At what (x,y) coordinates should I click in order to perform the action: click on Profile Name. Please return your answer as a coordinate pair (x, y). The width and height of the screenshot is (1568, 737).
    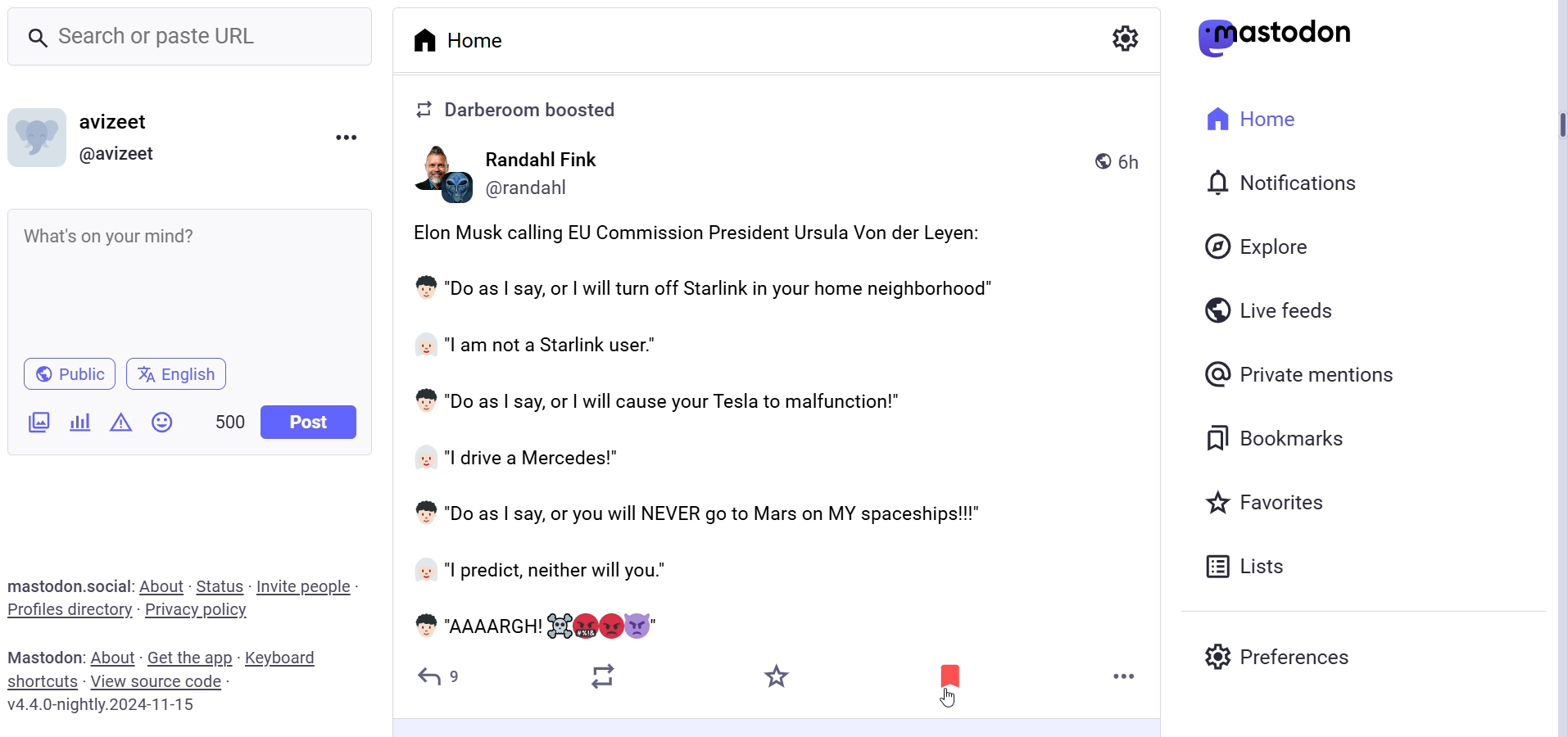
    Looking at the image, I should click on (112, 120).